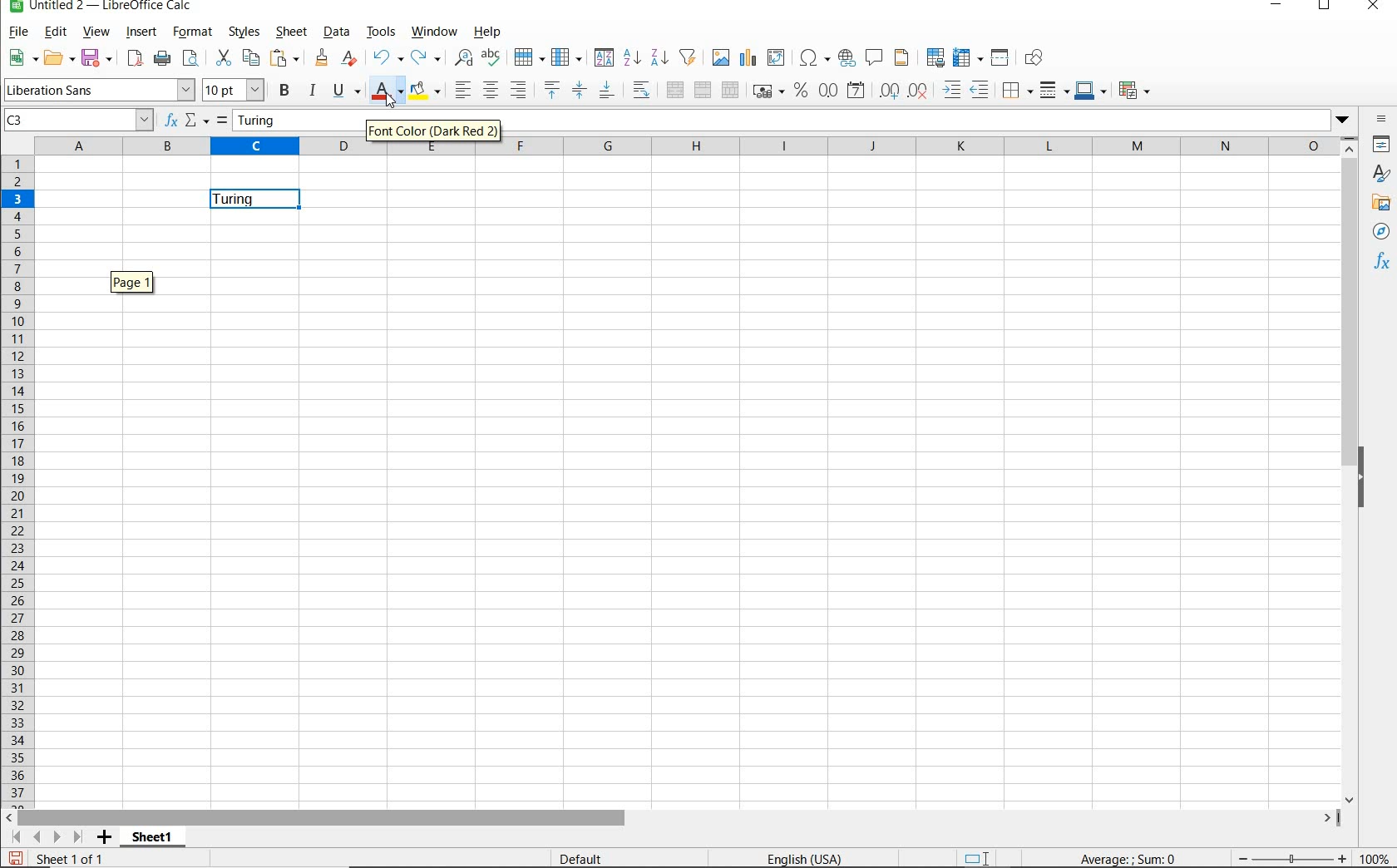  What do you see at coordinates (830, 90) in the screenshot?
I see `FORMAT AS NUMBER` at bounding box center [830, 90].